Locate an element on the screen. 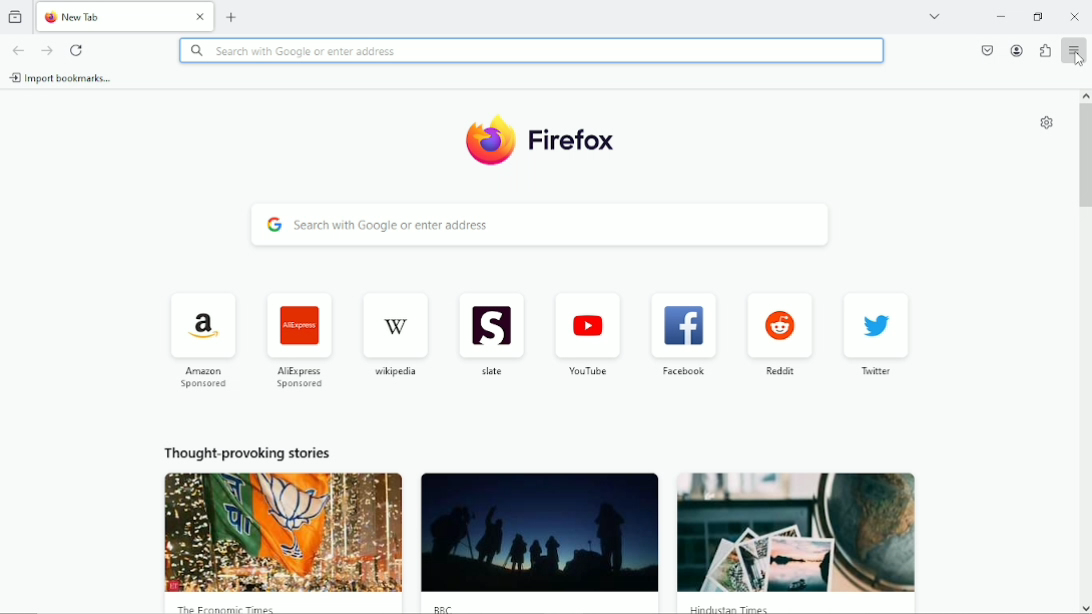  restore down is located at coordinates (1038, 16).